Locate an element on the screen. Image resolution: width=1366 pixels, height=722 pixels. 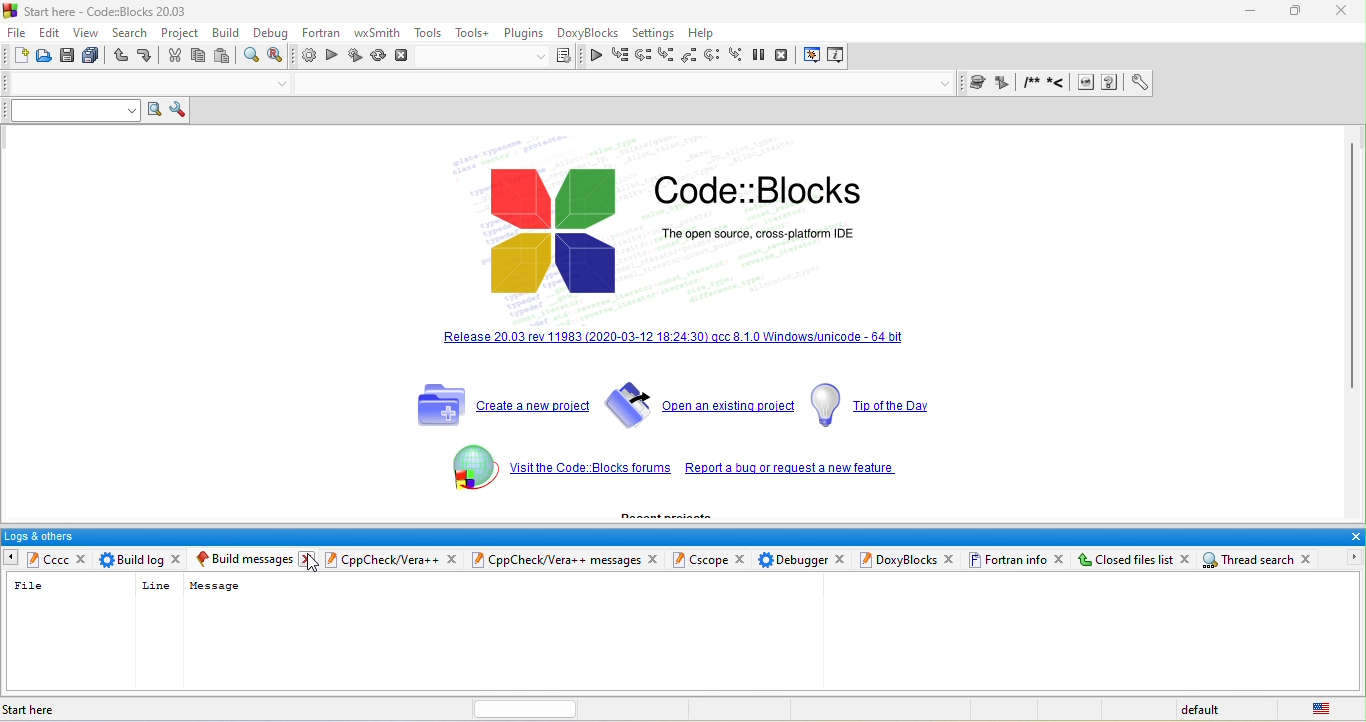
settings is located at coordinates (655, 31).